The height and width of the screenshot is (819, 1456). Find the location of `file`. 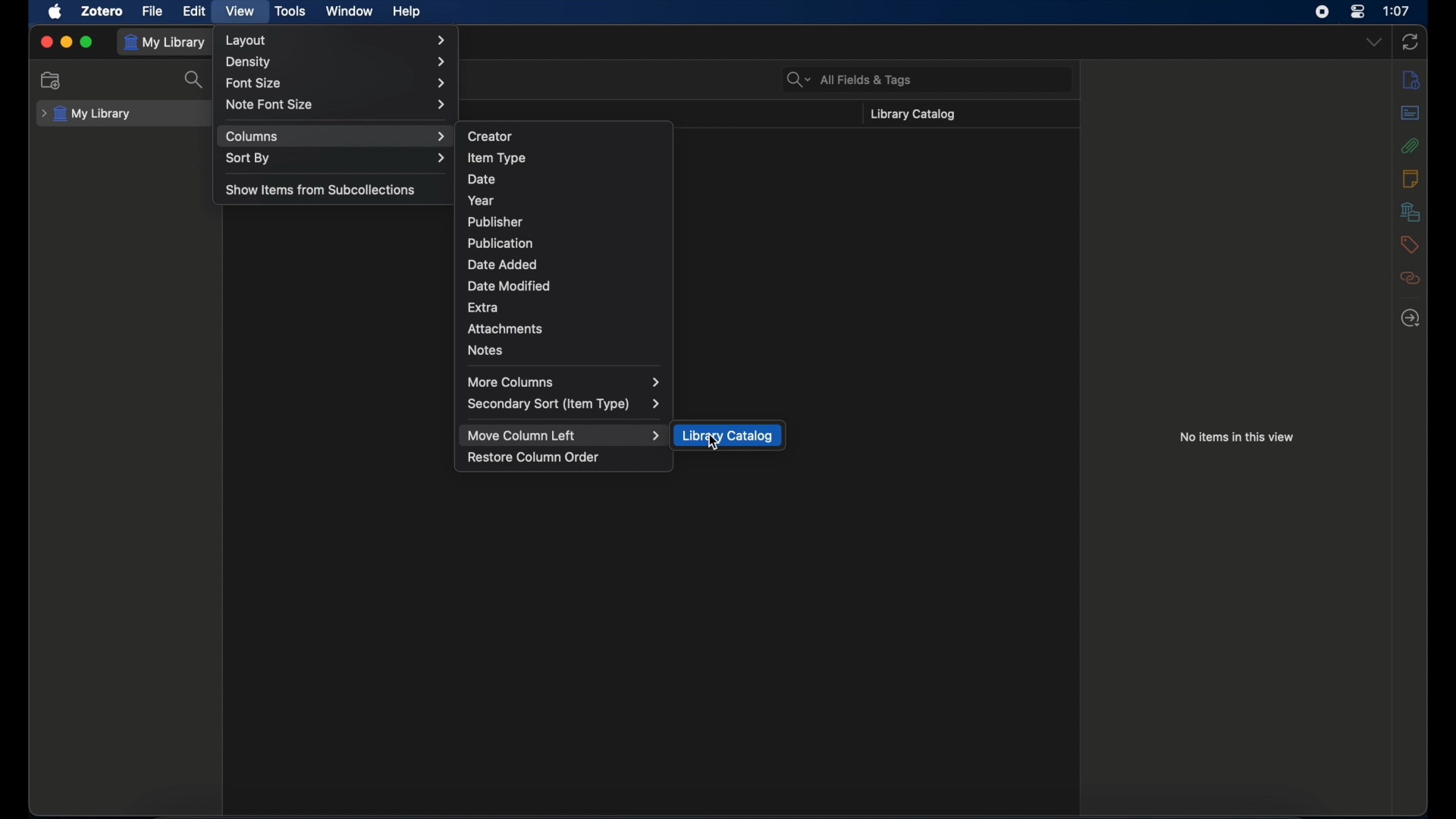

file is located at coordinates (153, 11).